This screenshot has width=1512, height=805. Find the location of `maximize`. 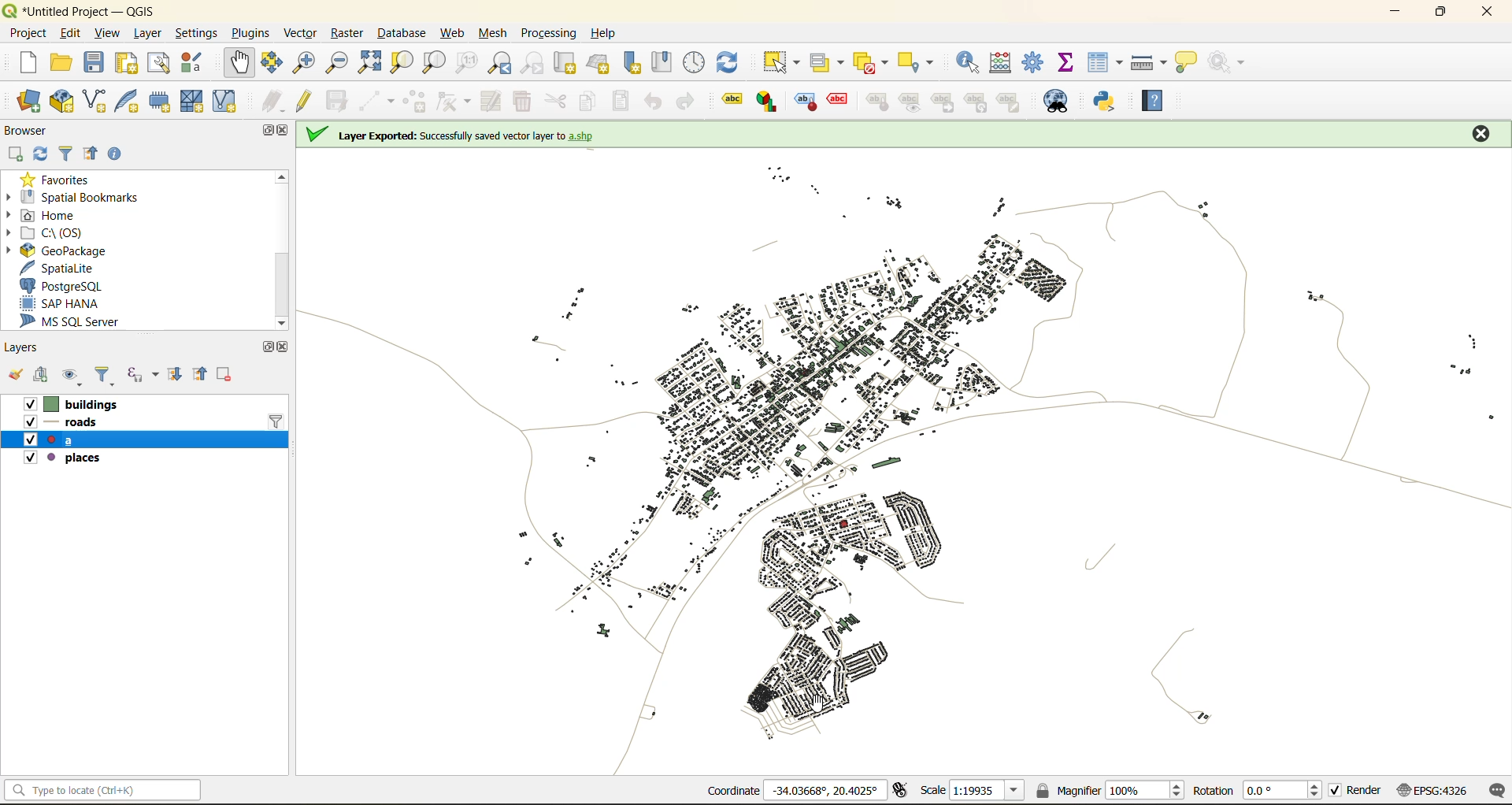

maximize is located at coordinates (265, 131).